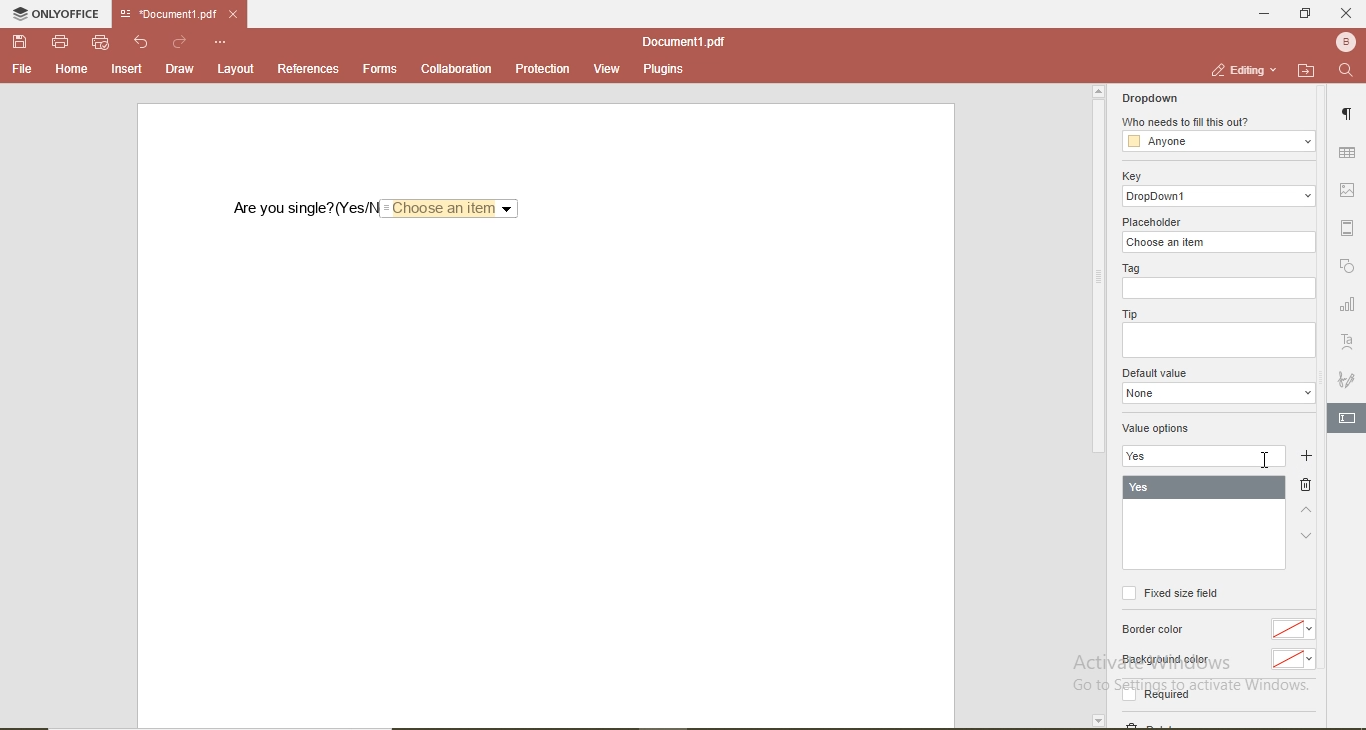  What do you see at coordinates (1166, 430) in the screenshot?
I see `value options` at bounding box center [1166, 430].